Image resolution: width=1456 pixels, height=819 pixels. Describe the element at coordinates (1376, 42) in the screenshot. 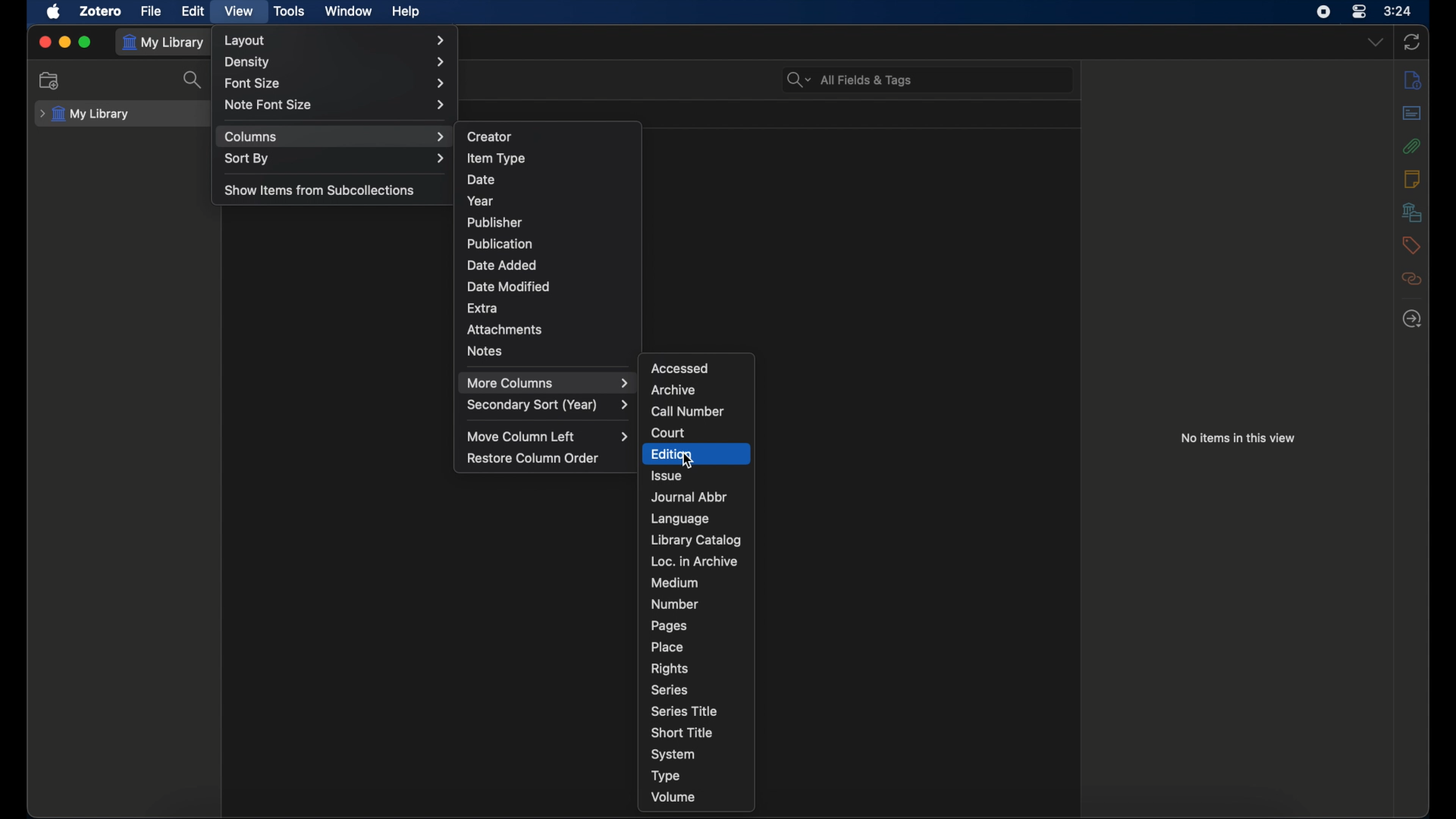

I see `dropdown` at that location.